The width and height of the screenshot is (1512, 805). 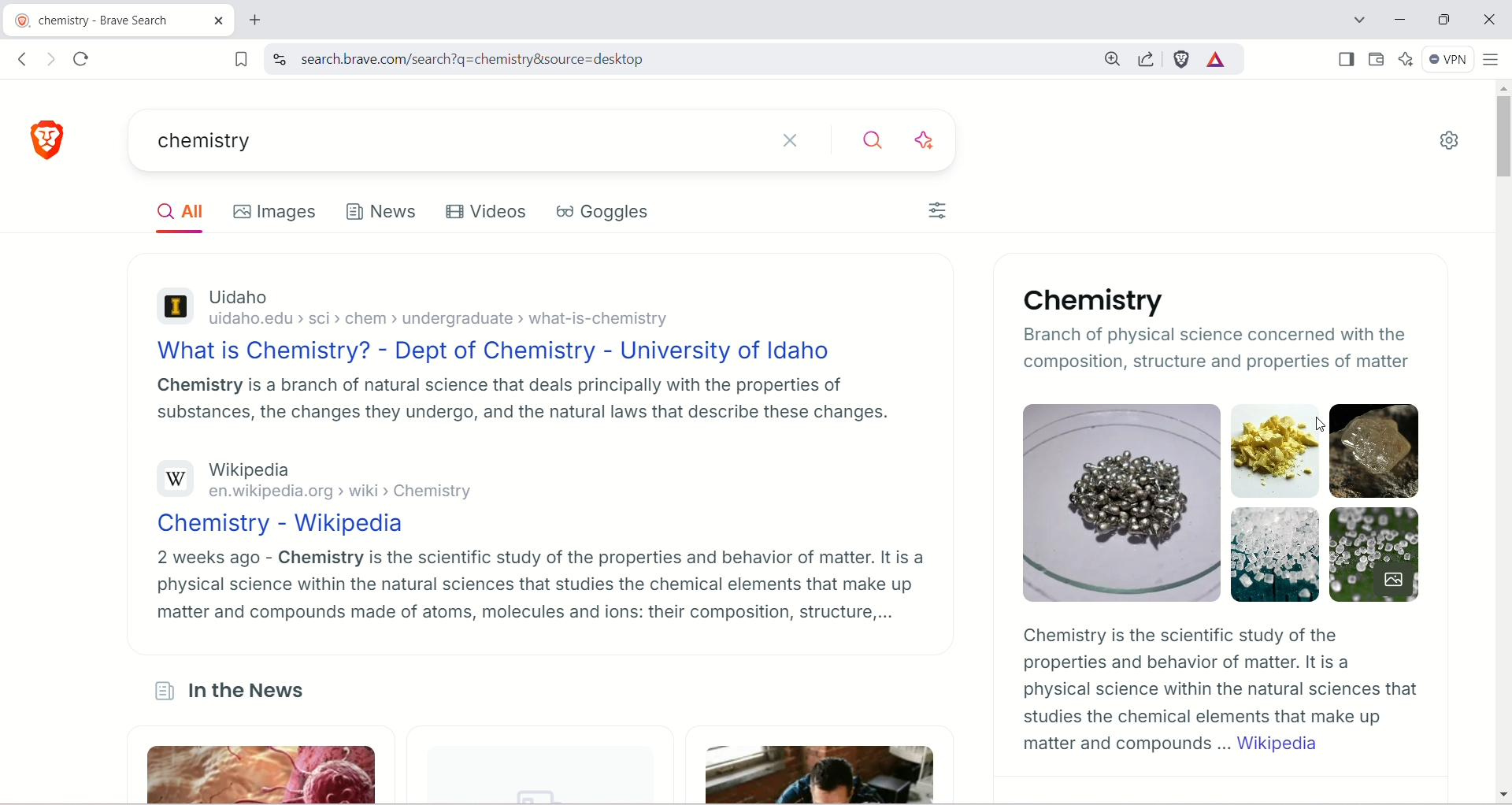 I want to click on Images, so click(x=272, y=210).